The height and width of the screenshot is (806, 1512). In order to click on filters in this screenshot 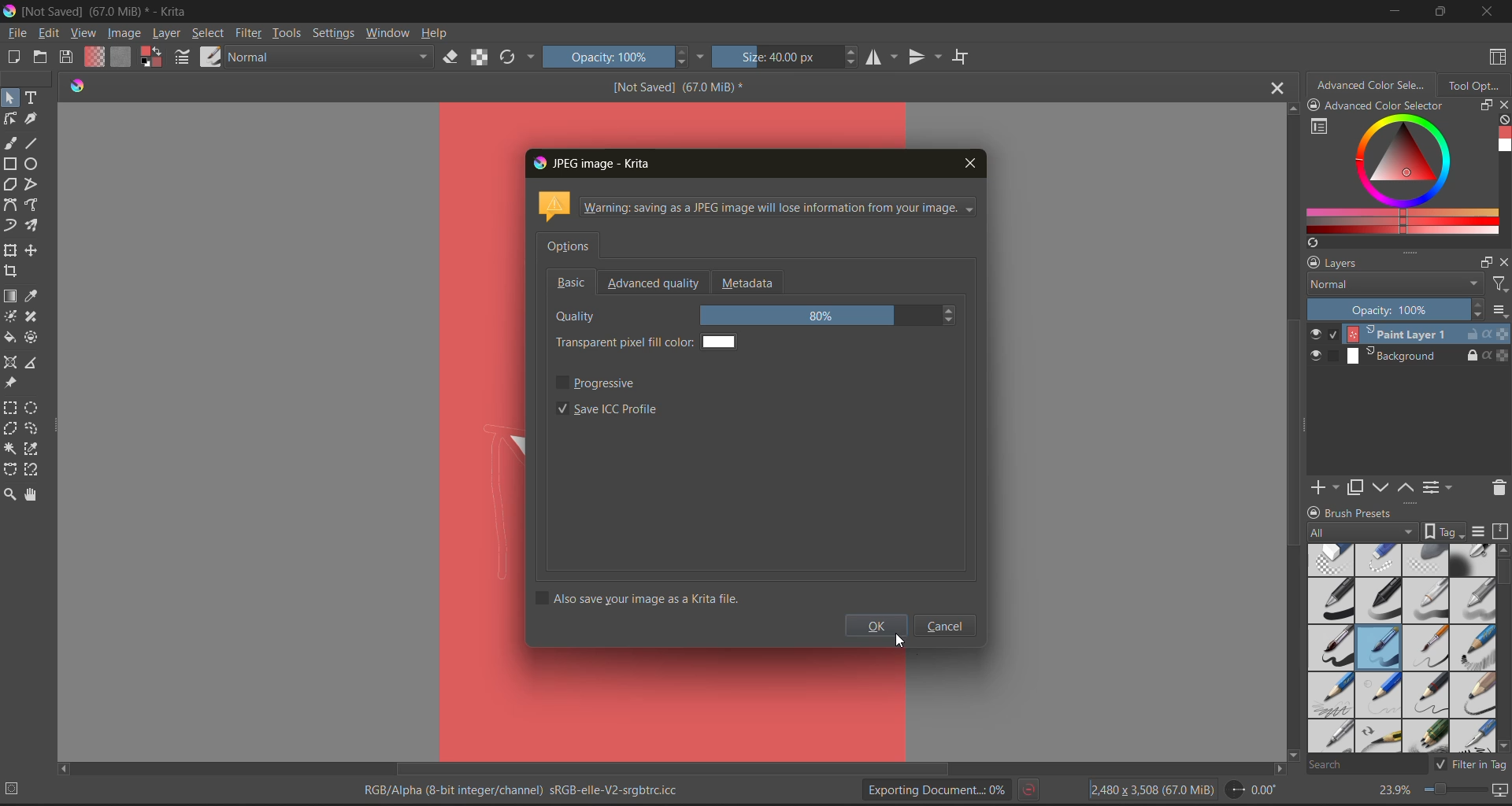, I will do `click(1499, 287)`.